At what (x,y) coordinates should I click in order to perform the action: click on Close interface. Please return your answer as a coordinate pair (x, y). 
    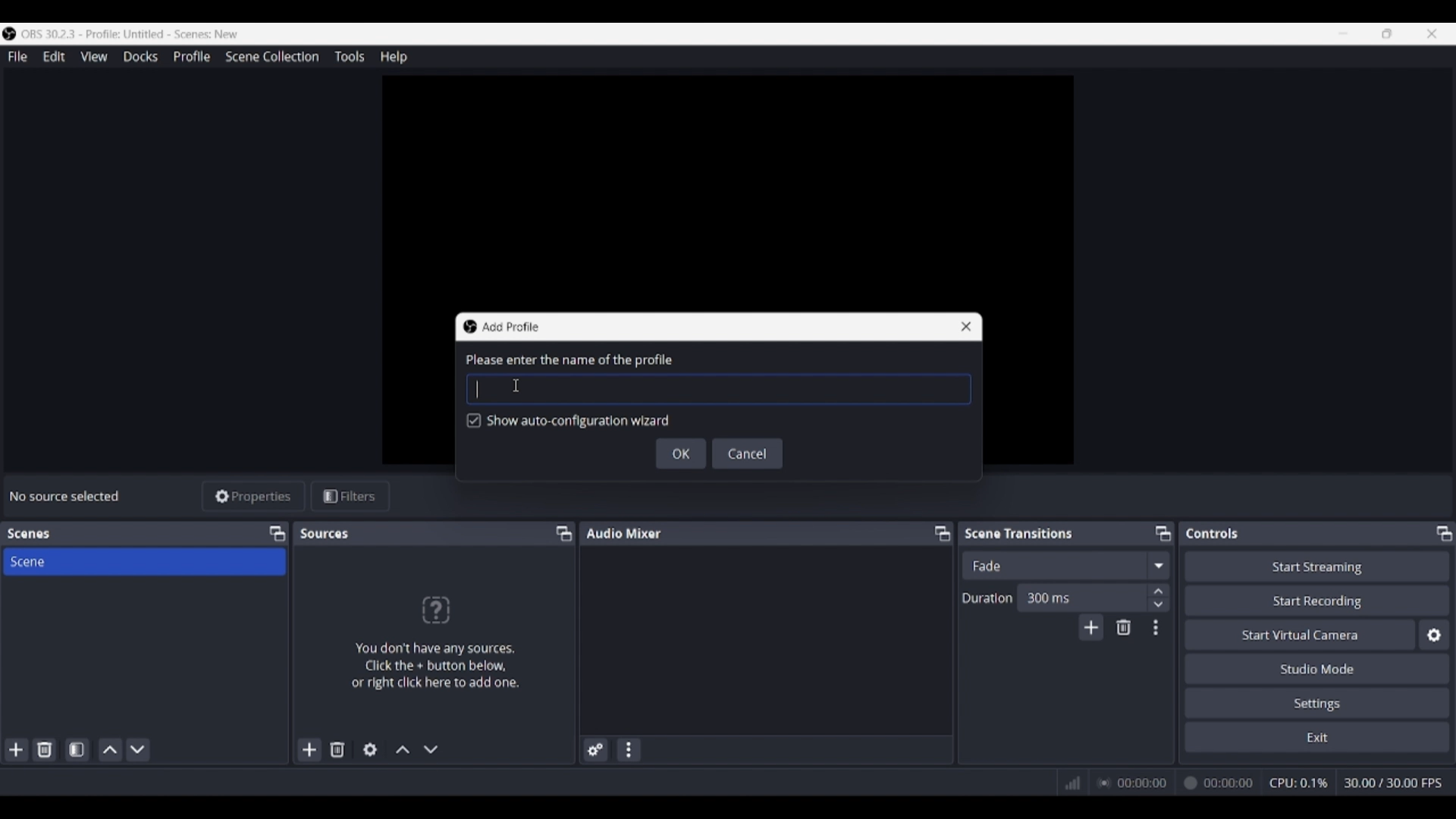
    Looking at the image, I should click on (1432, 33).